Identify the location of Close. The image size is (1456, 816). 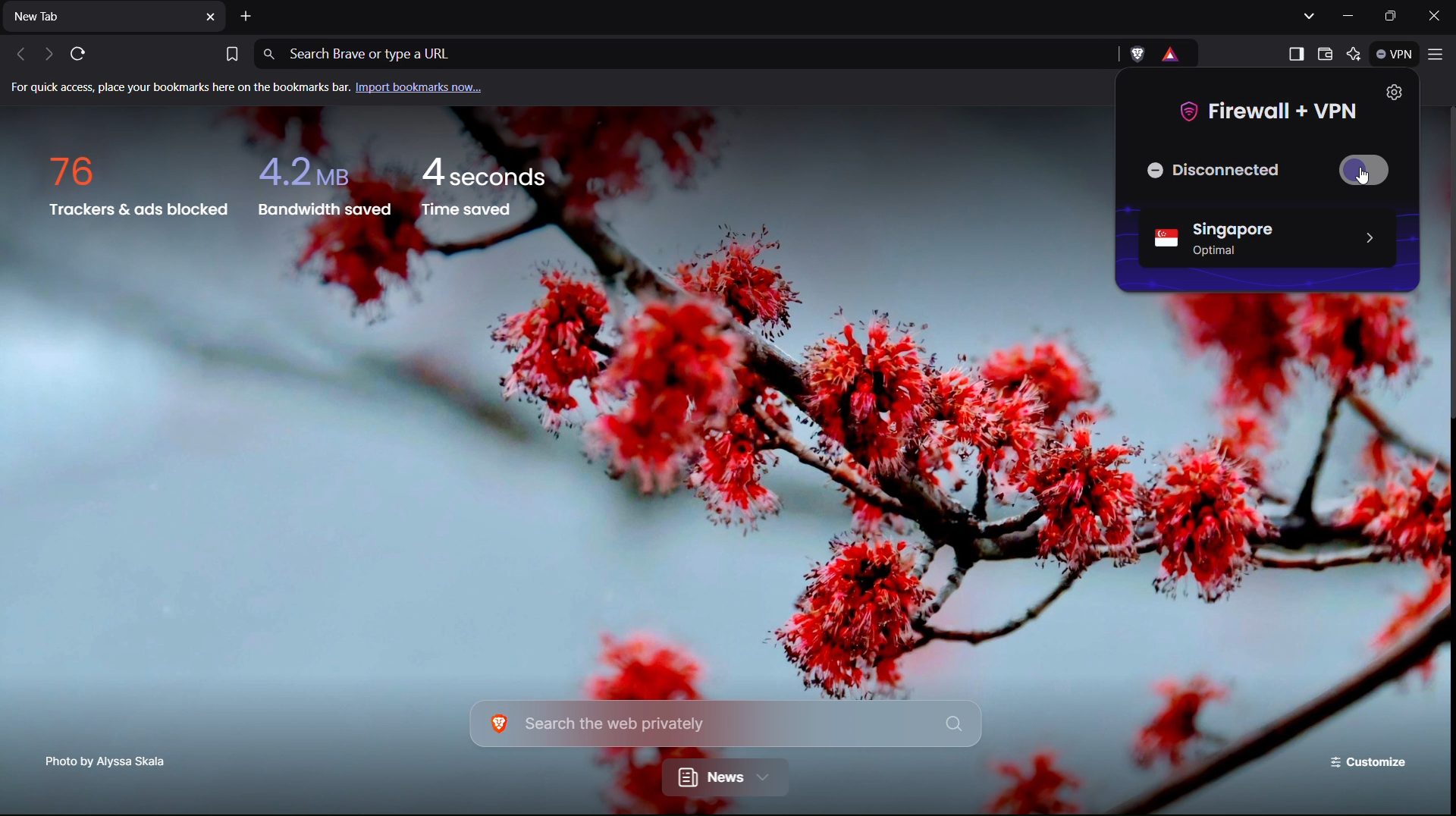
(1439, 16).